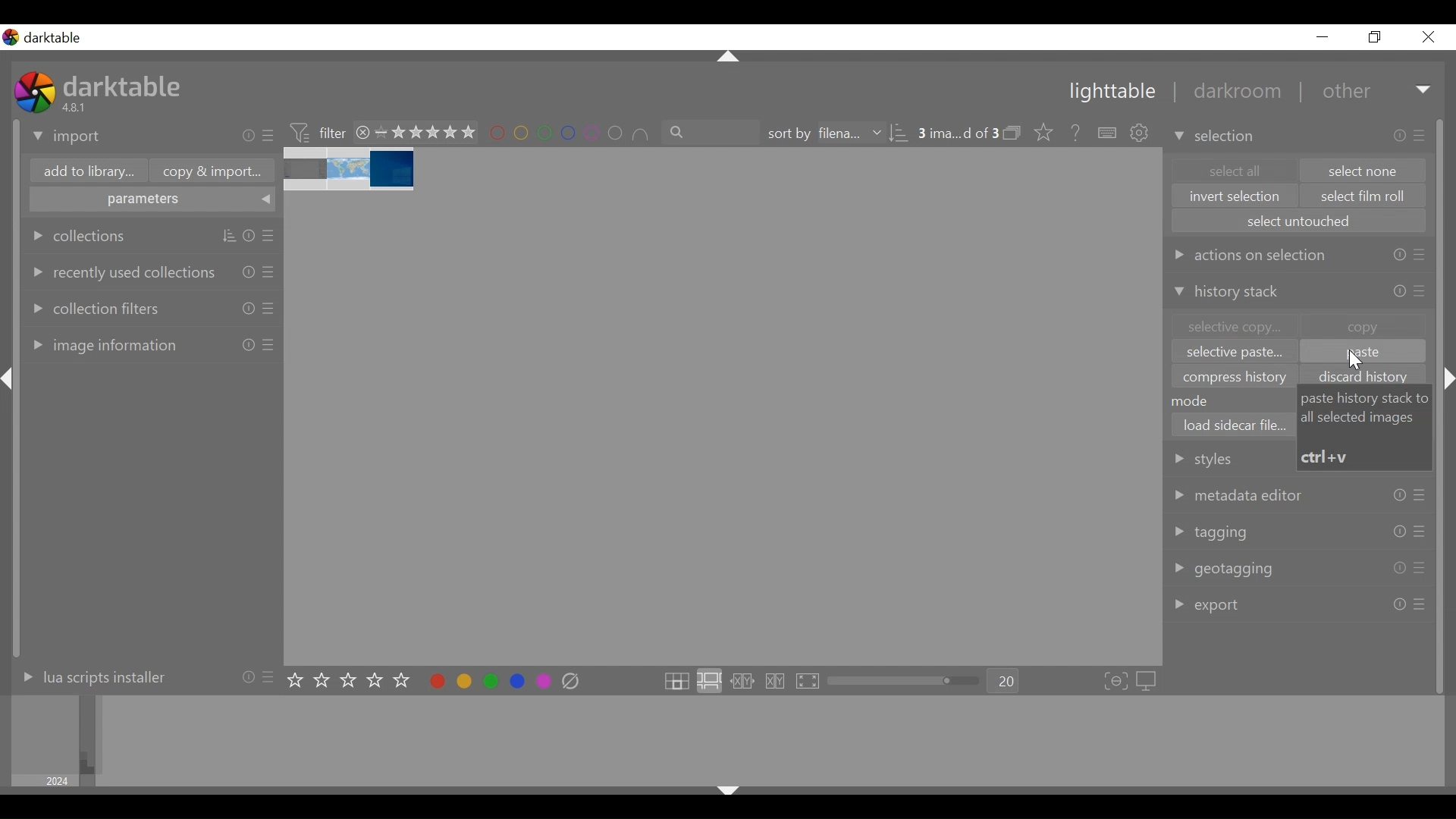  I want to click on number of image selected, so click(958, 133).